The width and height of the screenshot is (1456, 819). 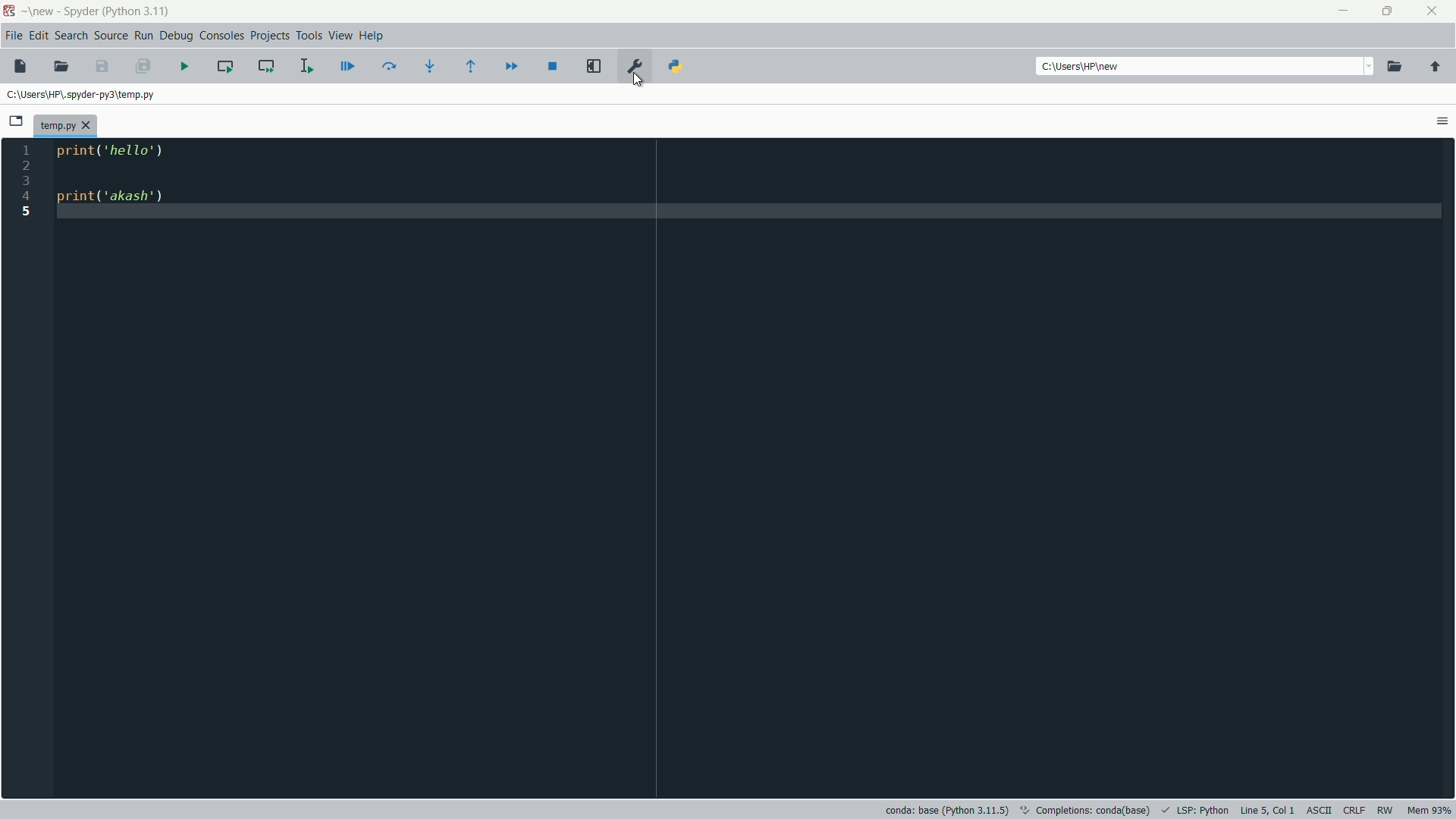 I want to click on view menu, so click(x=340, y=36).